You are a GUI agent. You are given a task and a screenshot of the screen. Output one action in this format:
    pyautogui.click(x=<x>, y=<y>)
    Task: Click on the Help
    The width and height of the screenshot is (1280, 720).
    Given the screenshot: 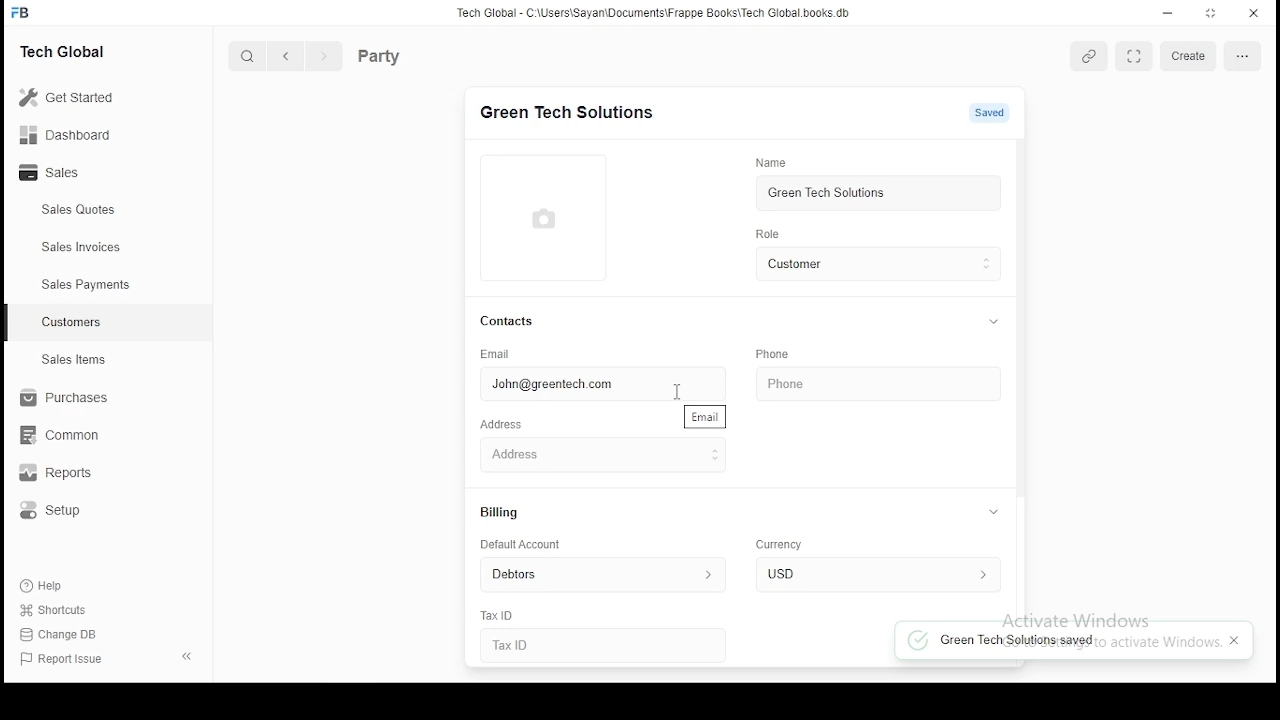 What is the action you would take?
    pyautogui.click(x=44, y=589)
    